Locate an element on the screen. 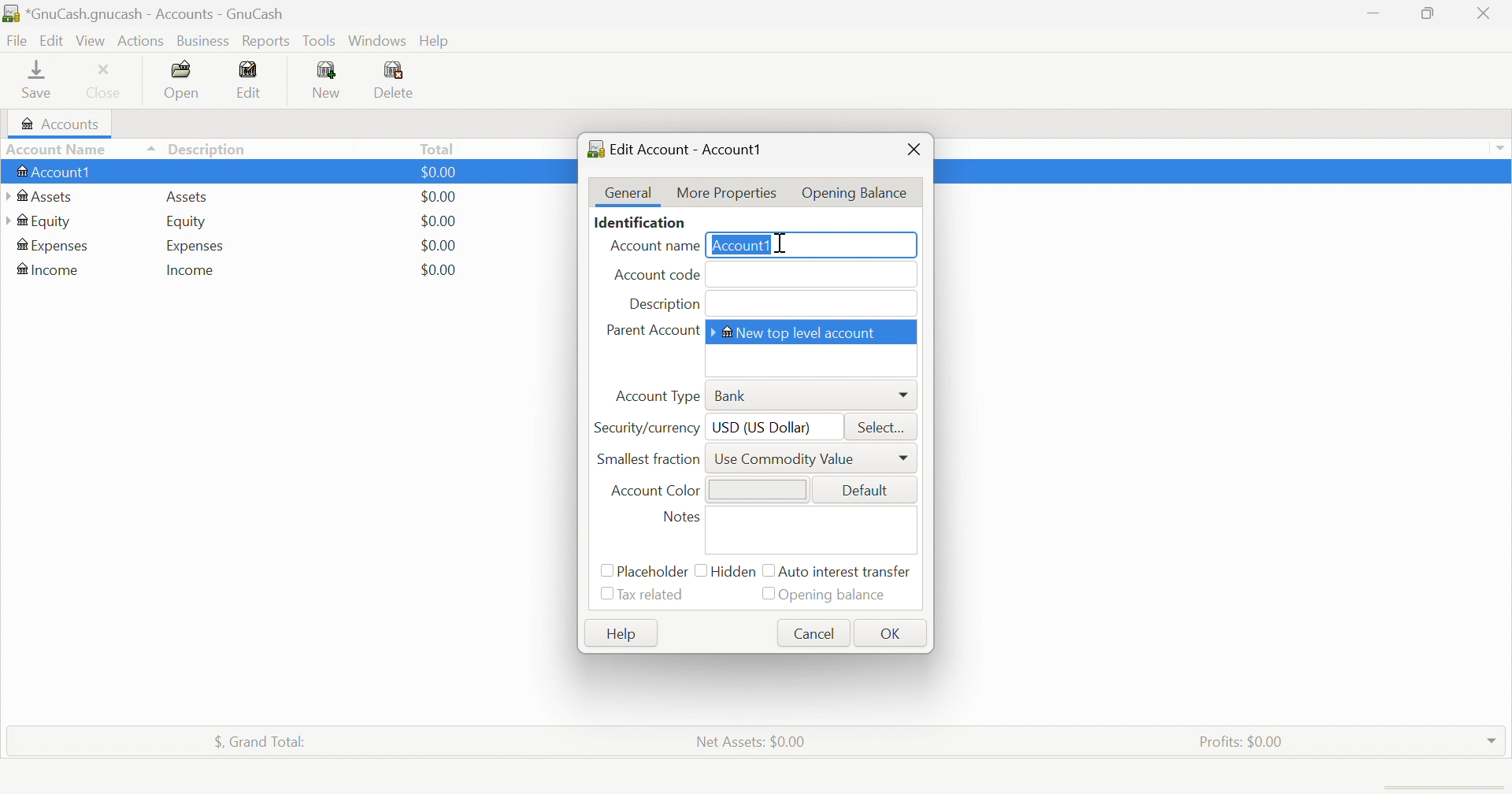  New Top Level Account is located at coordinates (801, 332).